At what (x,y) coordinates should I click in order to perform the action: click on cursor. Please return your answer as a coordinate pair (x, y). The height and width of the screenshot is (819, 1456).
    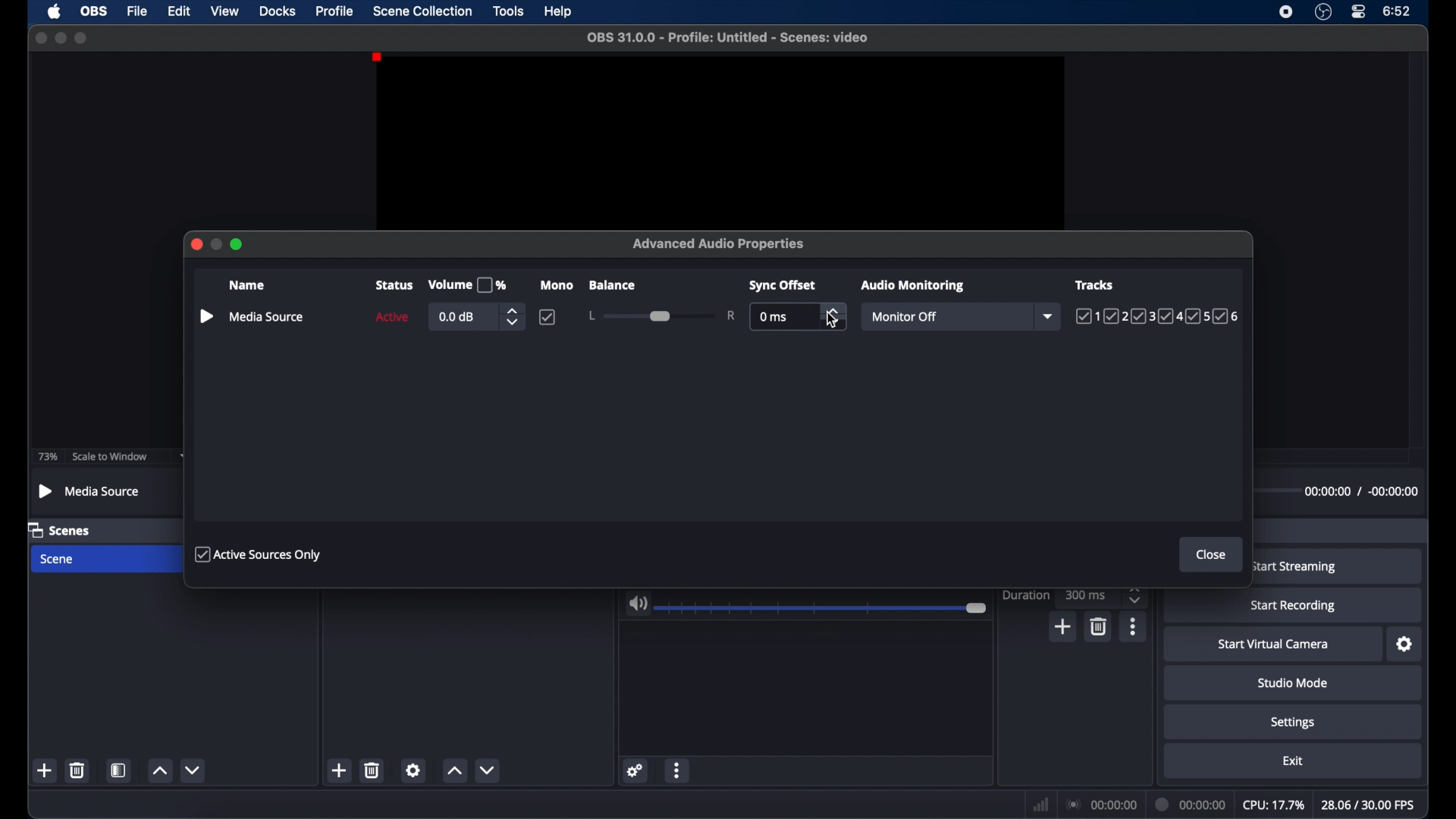
    Looking at the image, I should click on (833, 318).